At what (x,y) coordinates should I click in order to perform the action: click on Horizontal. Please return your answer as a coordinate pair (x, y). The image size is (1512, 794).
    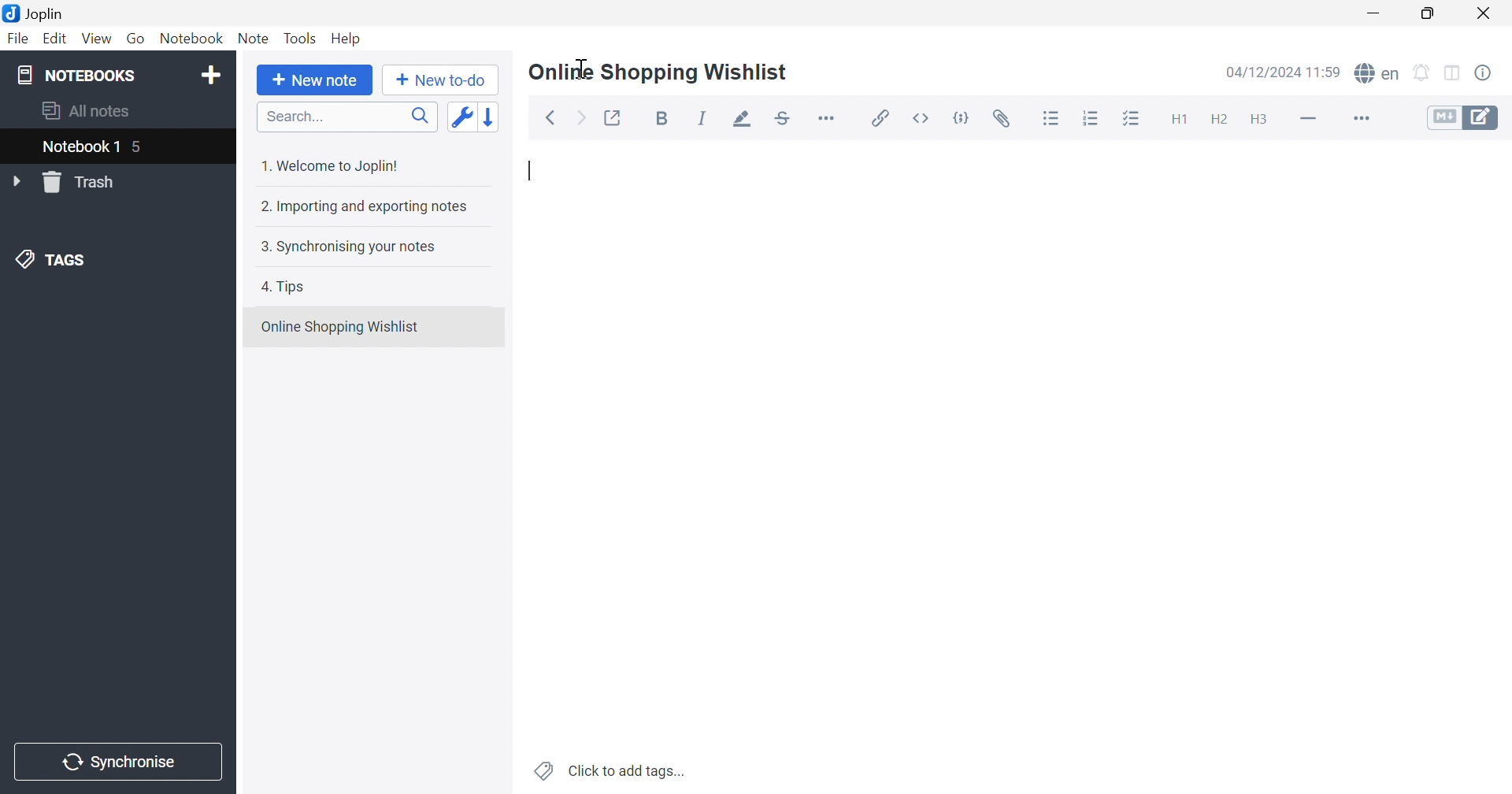
    Looking at the image, I should click on (829, 121).